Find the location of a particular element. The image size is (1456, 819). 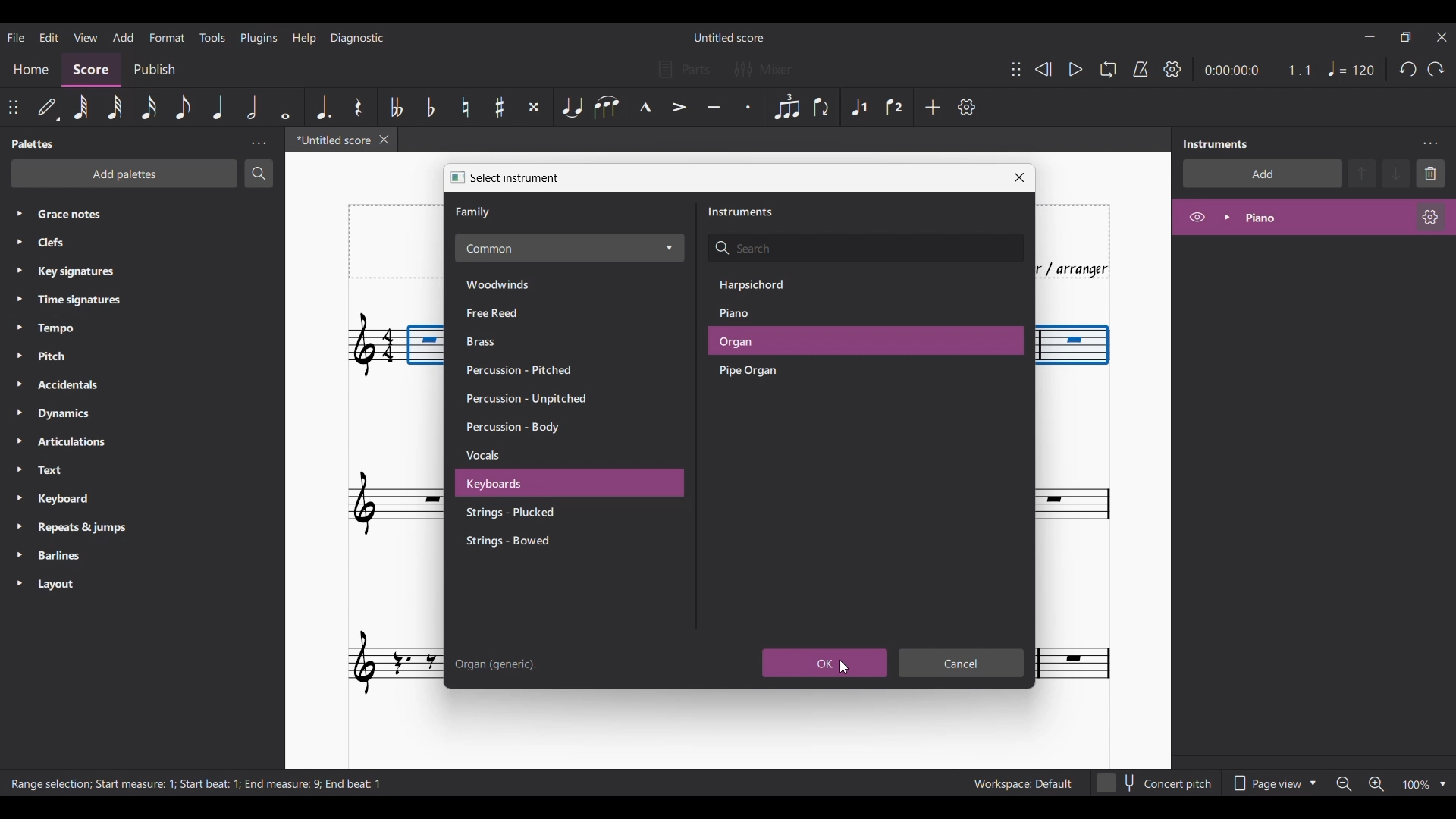

mixer settings is located at coordinates (772, 70).